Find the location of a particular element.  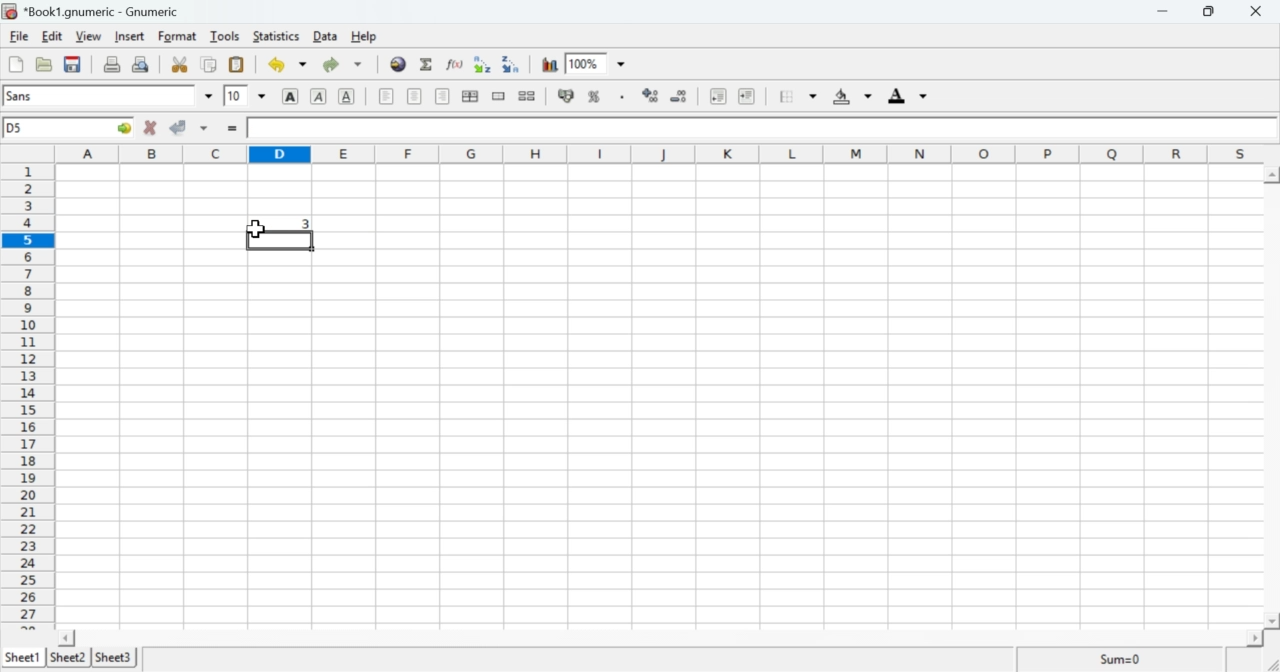

Data is located at coordinates (327, 37).